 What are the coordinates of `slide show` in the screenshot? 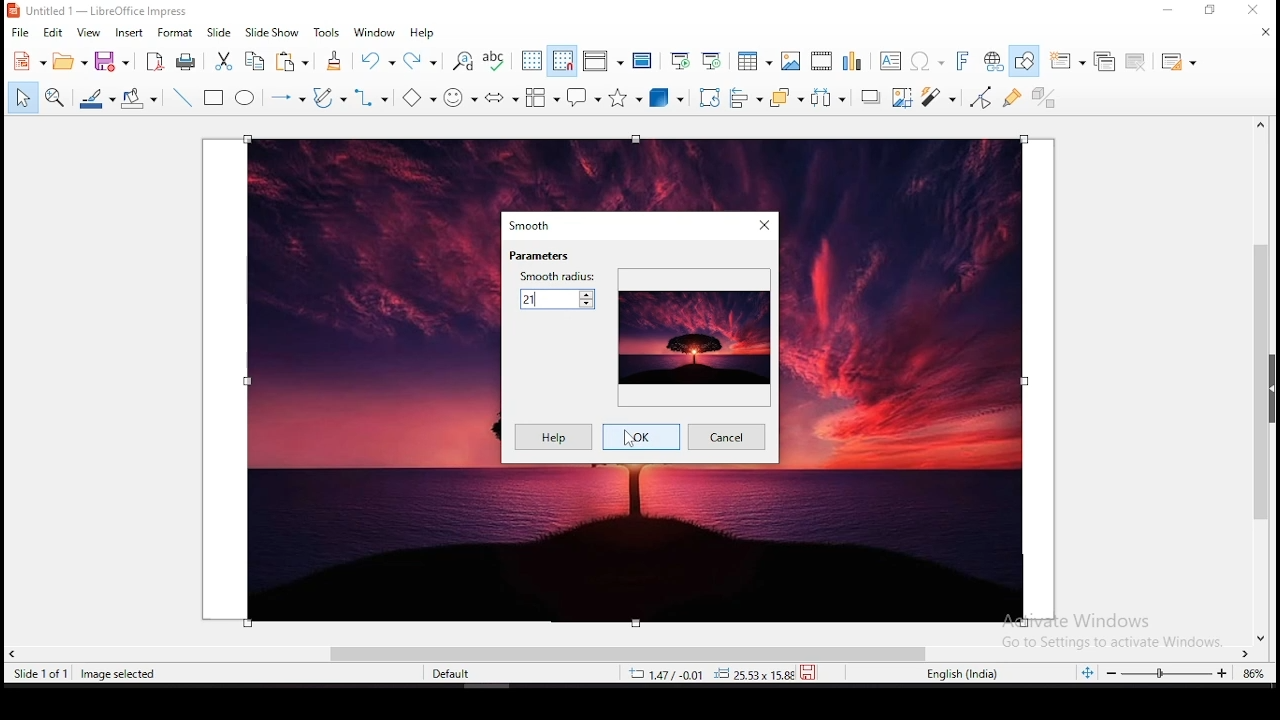 It's located at (273, 32).